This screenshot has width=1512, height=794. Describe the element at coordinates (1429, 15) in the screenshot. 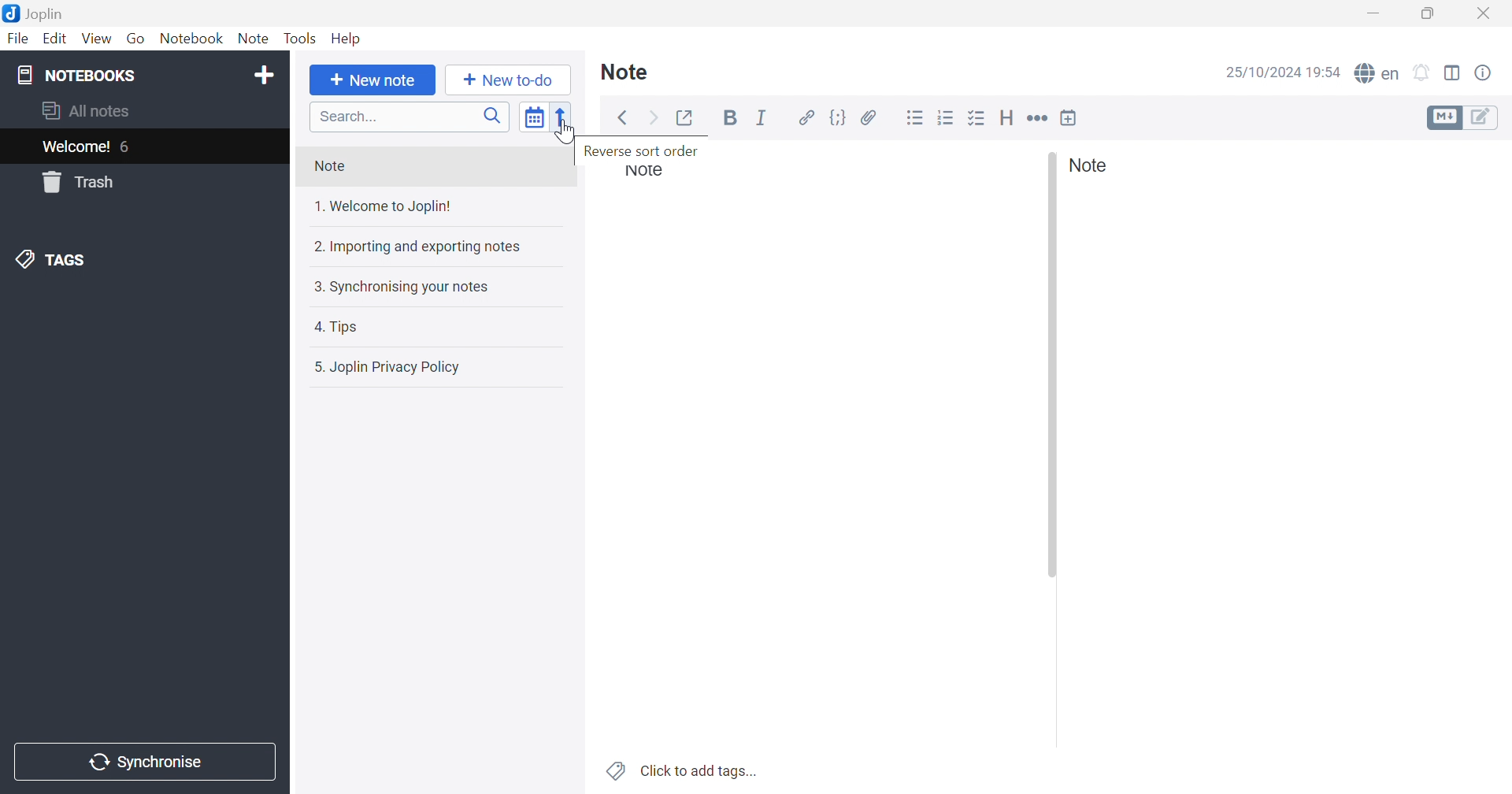

I see `Restore Down` at that location.